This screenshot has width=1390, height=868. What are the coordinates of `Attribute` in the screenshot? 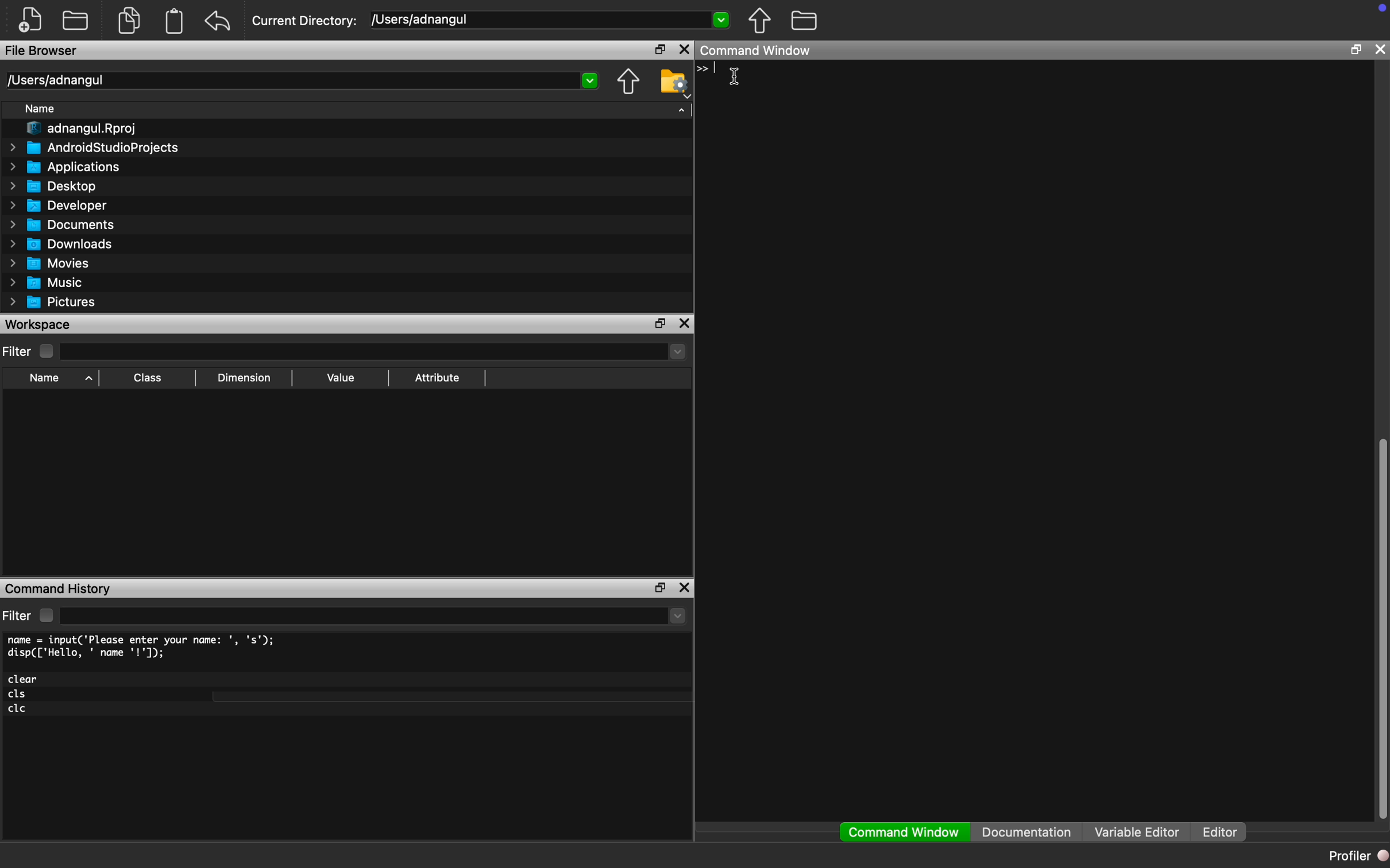 It's located at (437, 377).